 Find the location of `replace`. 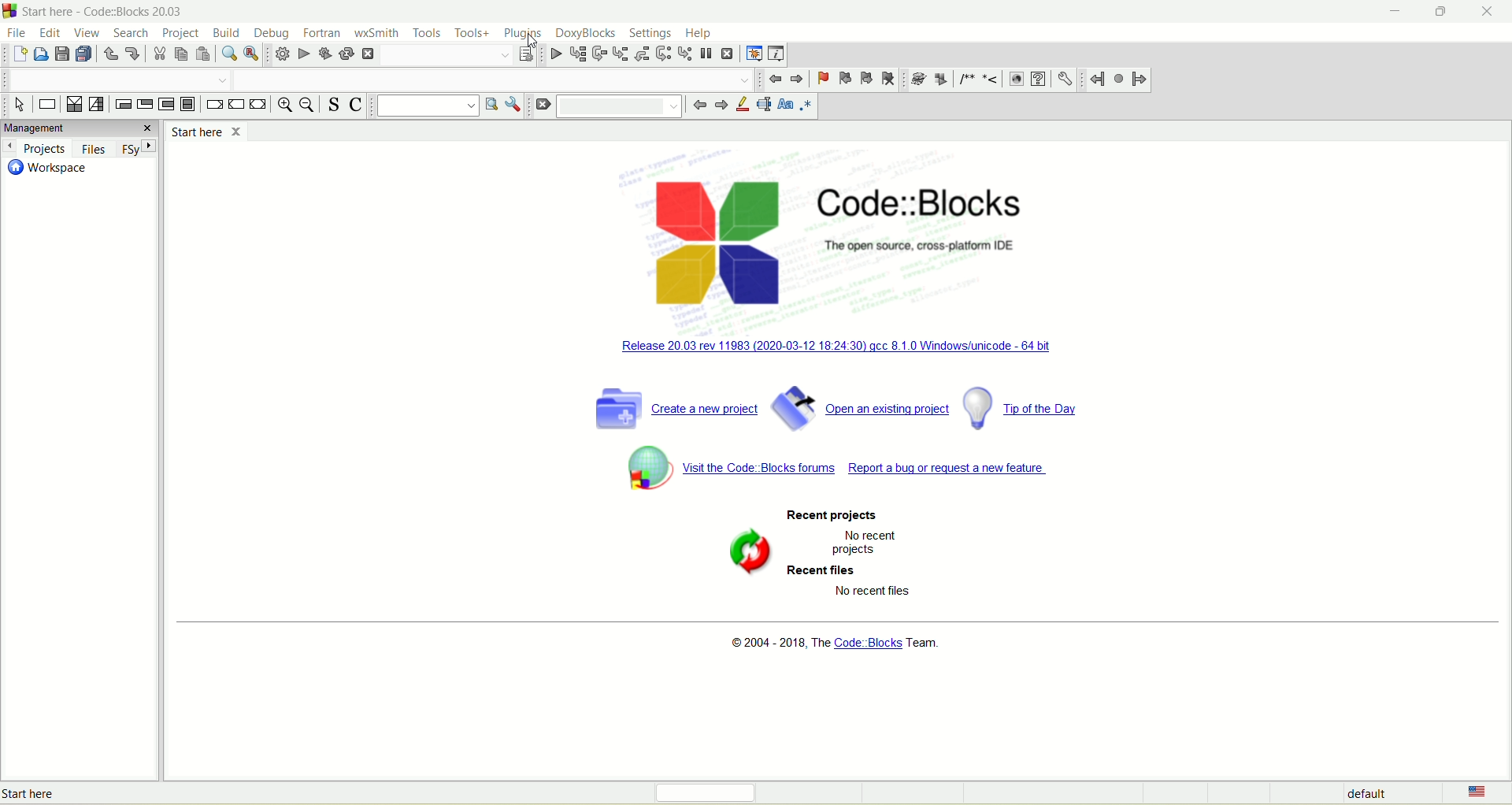

replace is located at coordinates (252, 54).